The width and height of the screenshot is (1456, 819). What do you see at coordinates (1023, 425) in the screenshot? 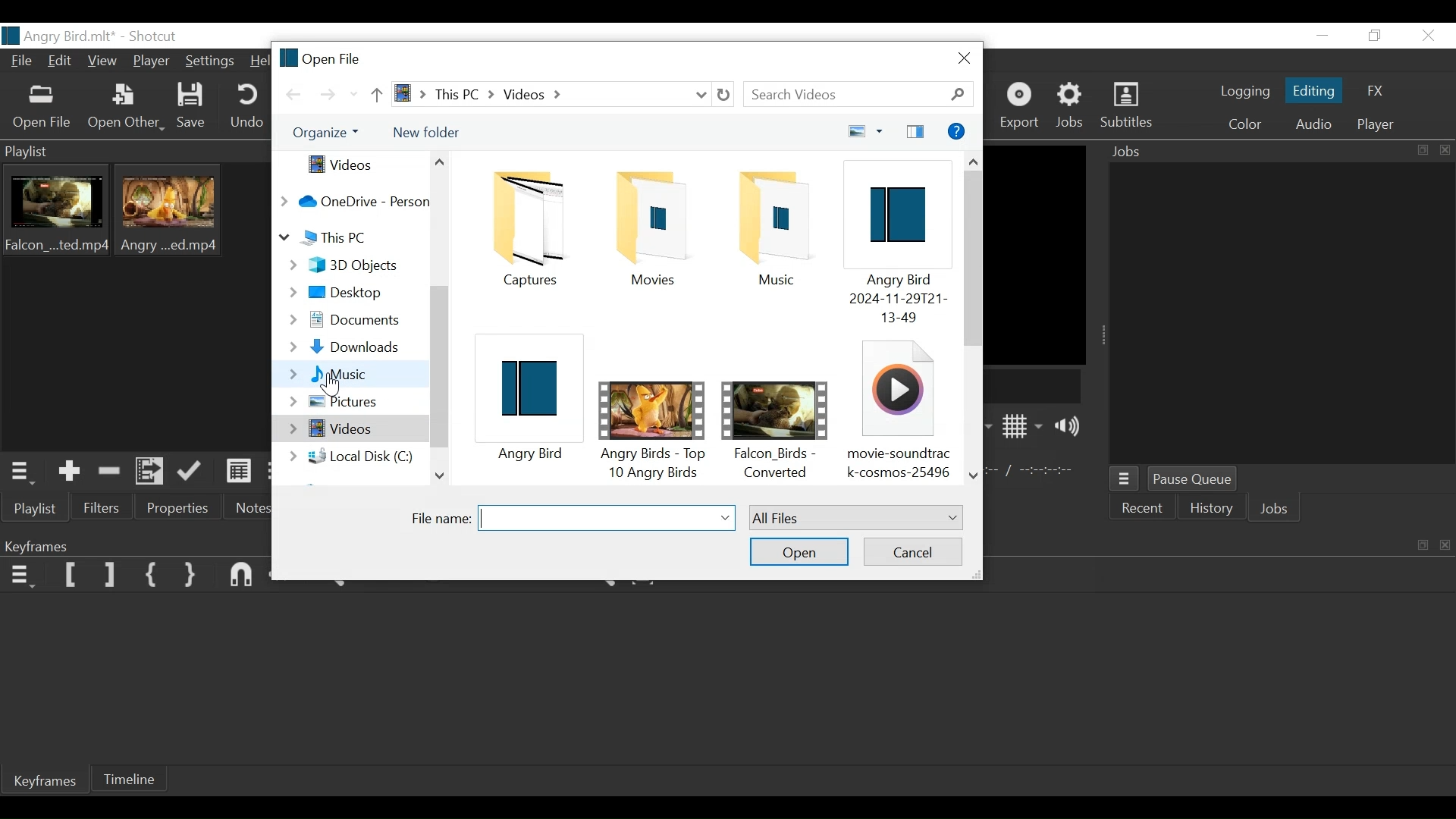
I see `Show display grid on player` at bounding box center [1023, 425].